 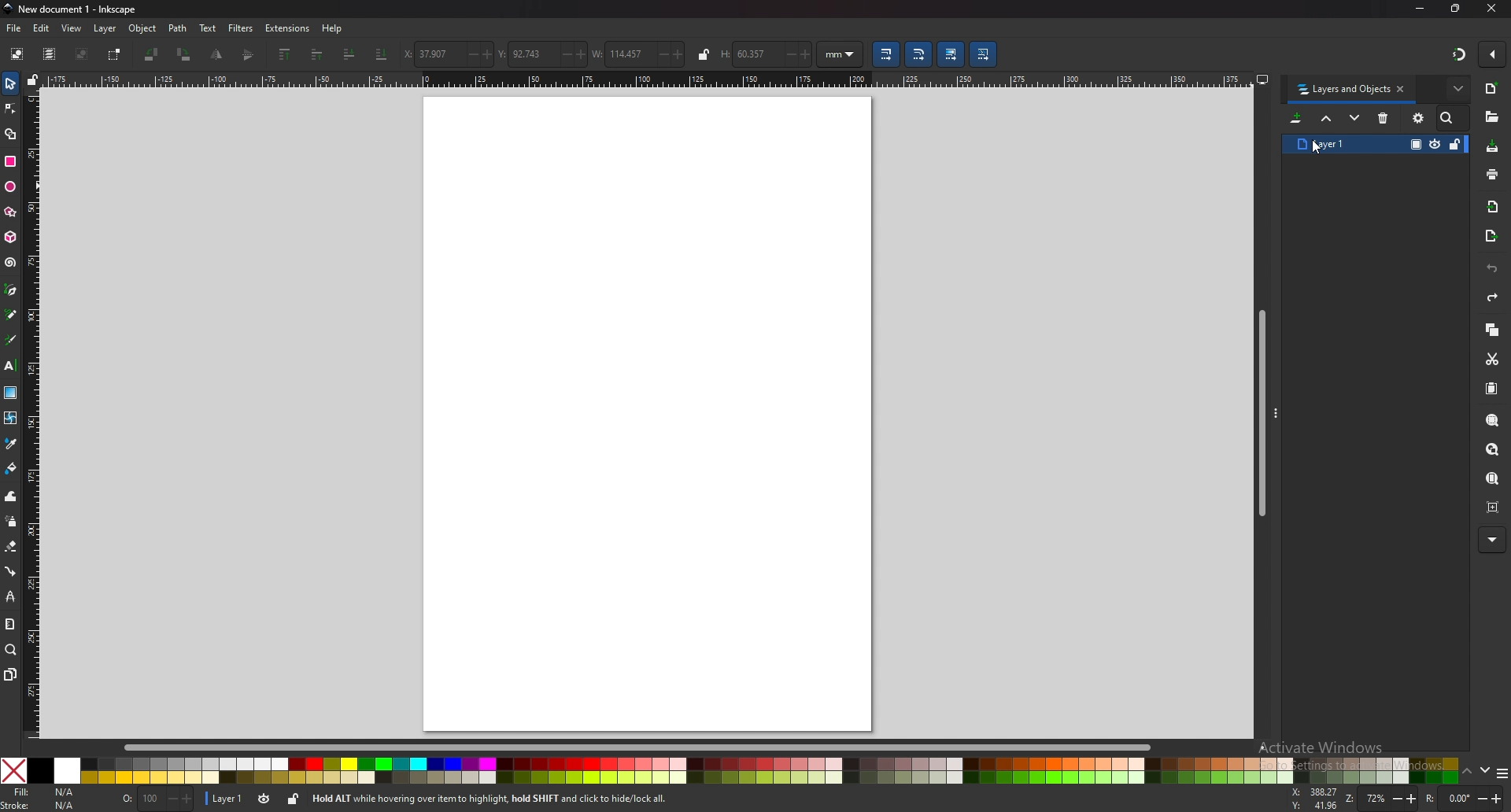 What do you see at coordinates (1460, 54) in the screenshot?
I see `snapping` at bounding box center [1460, 54].